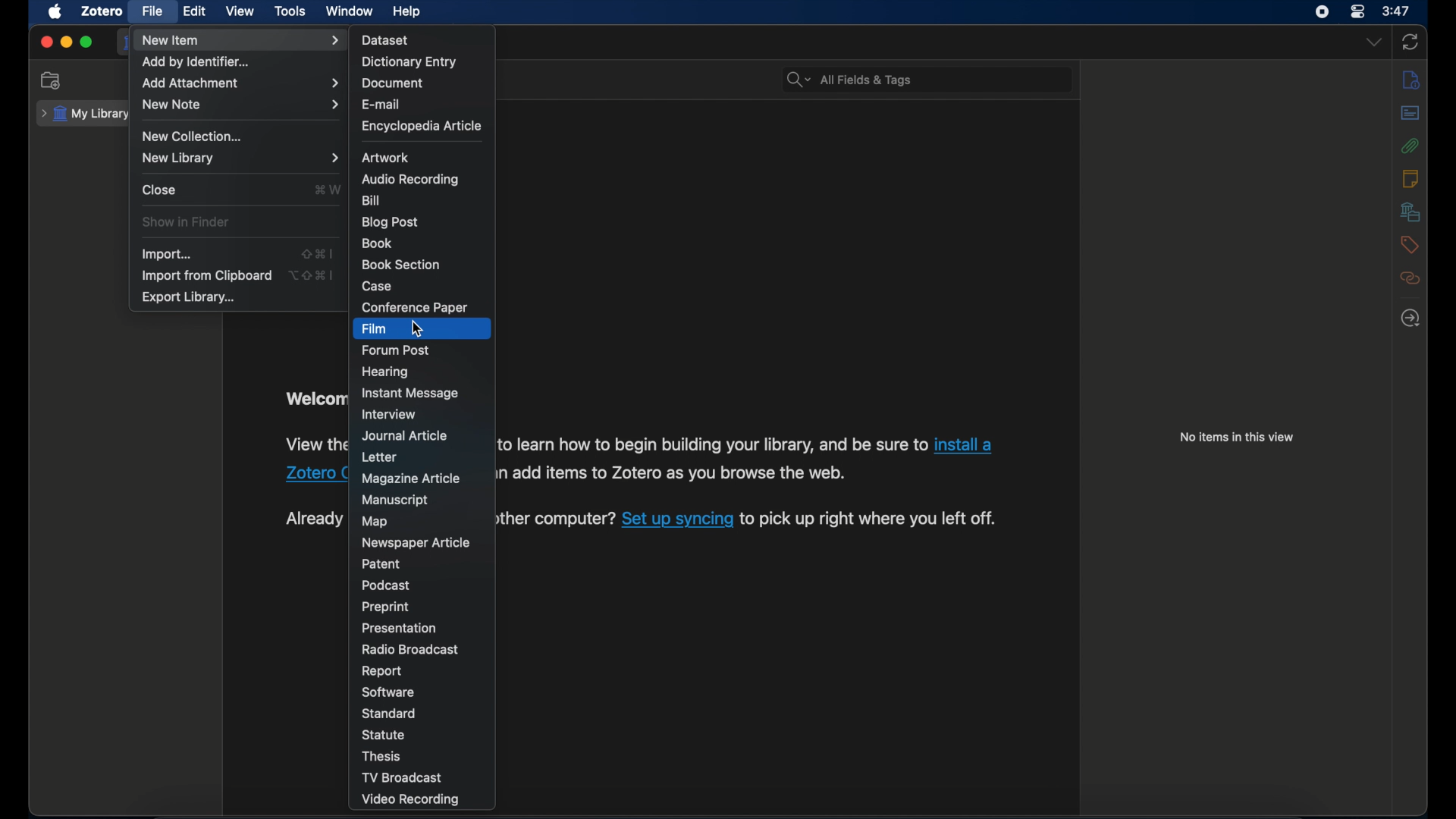 This screenshot has height=819, width=1456. What do you see at coordinates (408, 12) in the screenshot?
I see `help` at bounding box center [408, 12].